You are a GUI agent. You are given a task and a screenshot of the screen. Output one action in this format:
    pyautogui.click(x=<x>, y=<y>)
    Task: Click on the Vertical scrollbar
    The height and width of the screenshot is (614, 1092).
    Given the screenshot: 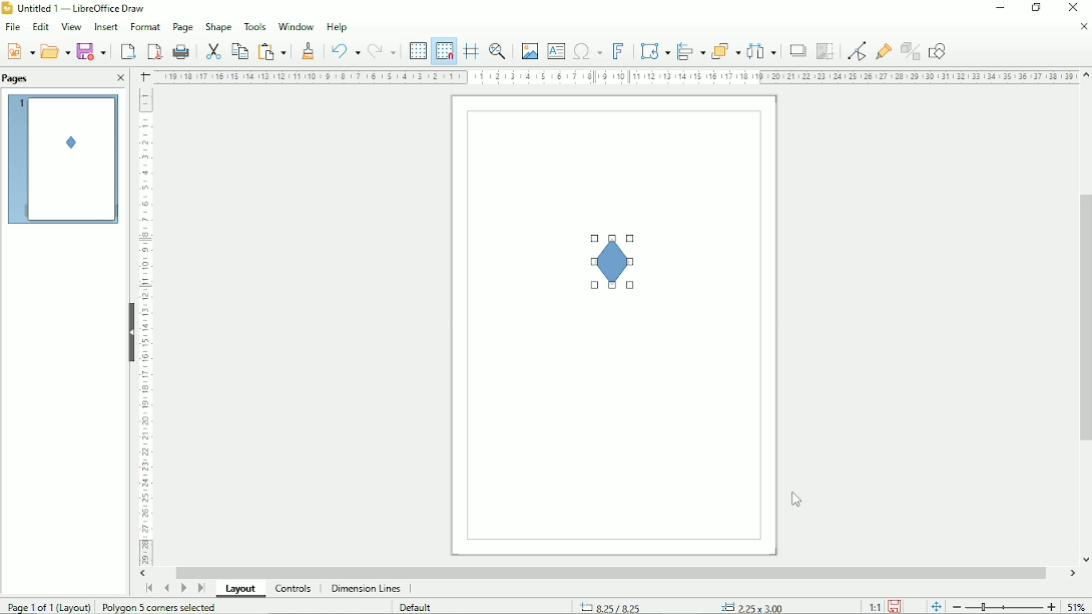 What is the action you would take?
    pyautogui.click(x=1082, y=321)
    